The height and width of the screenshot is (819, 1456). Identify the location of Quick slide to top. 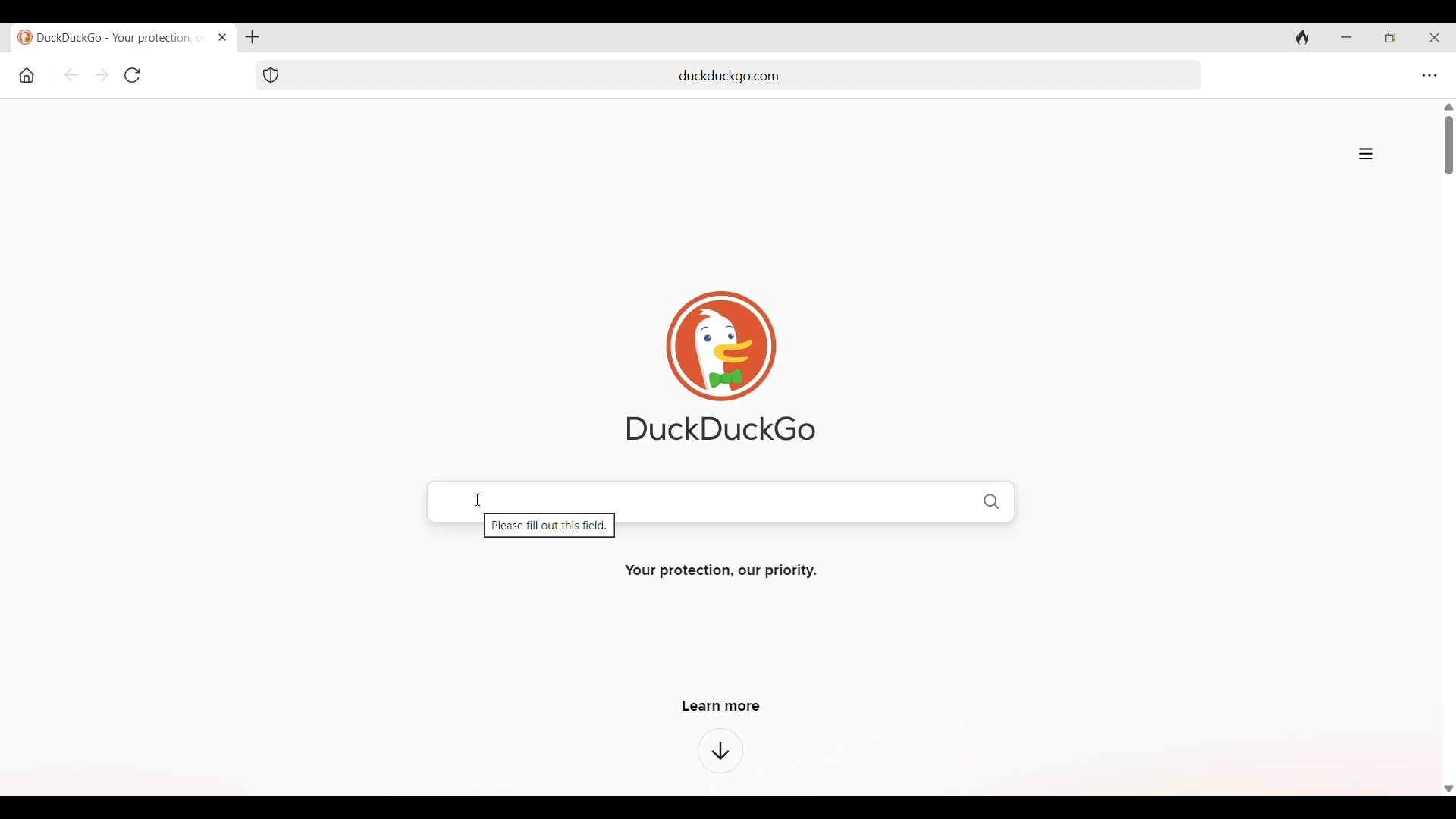
(1448, 107).